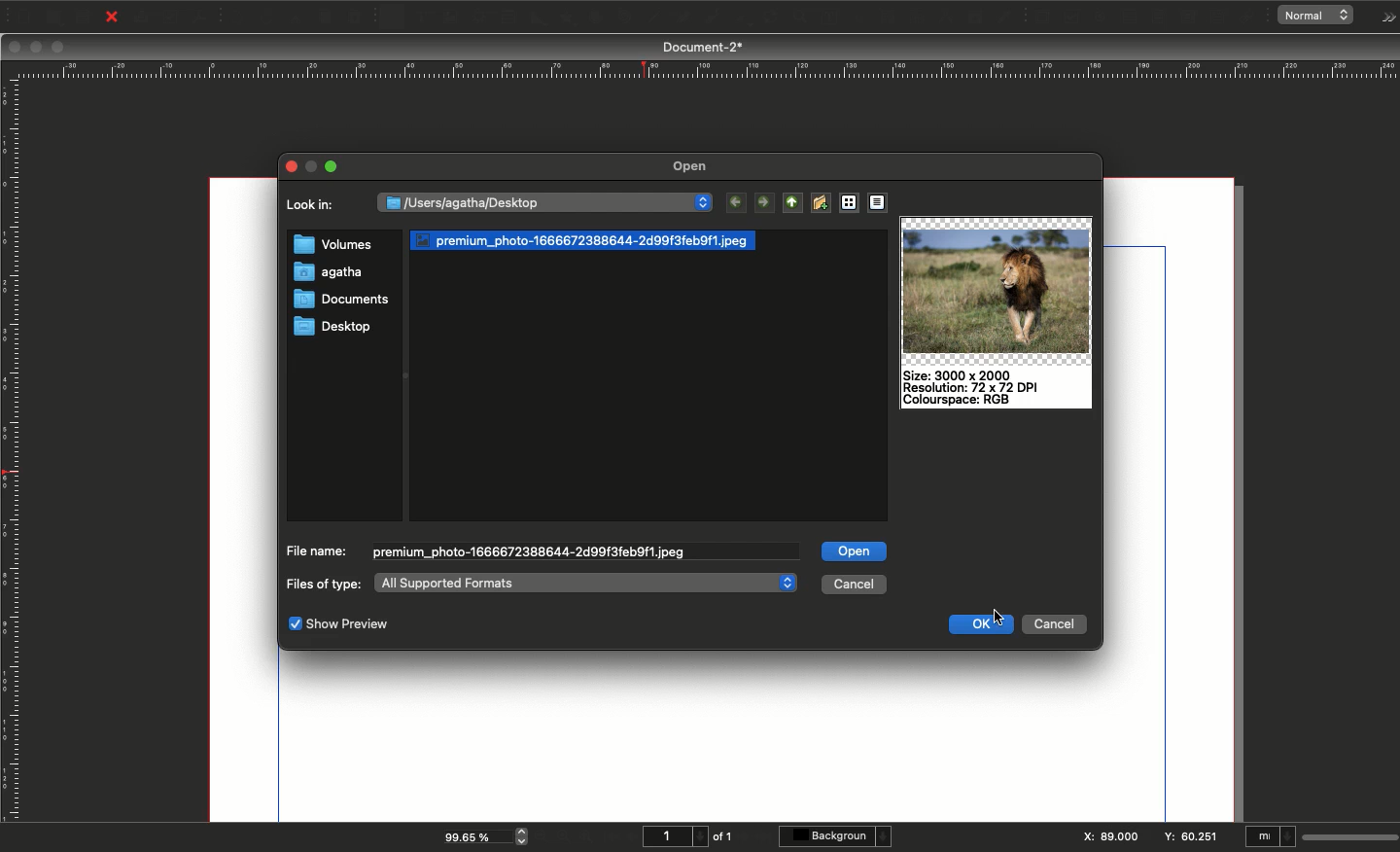 Image resolution: width=1400 pixels, height=852 pixels. Describe the element at coordinates (848, 203) in the screenshot. I see `Grid` at that location.